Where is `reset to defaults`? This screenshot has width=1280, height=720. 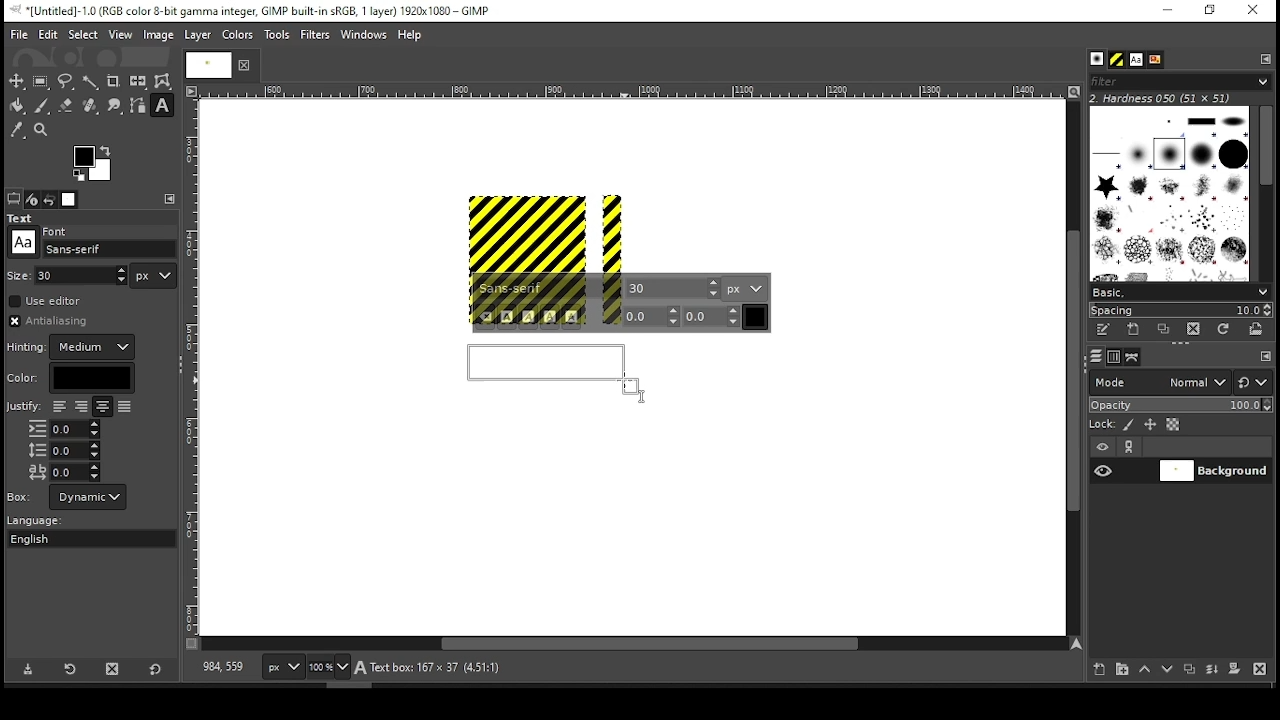
reset to defaults is located at coordinates (156, 670).